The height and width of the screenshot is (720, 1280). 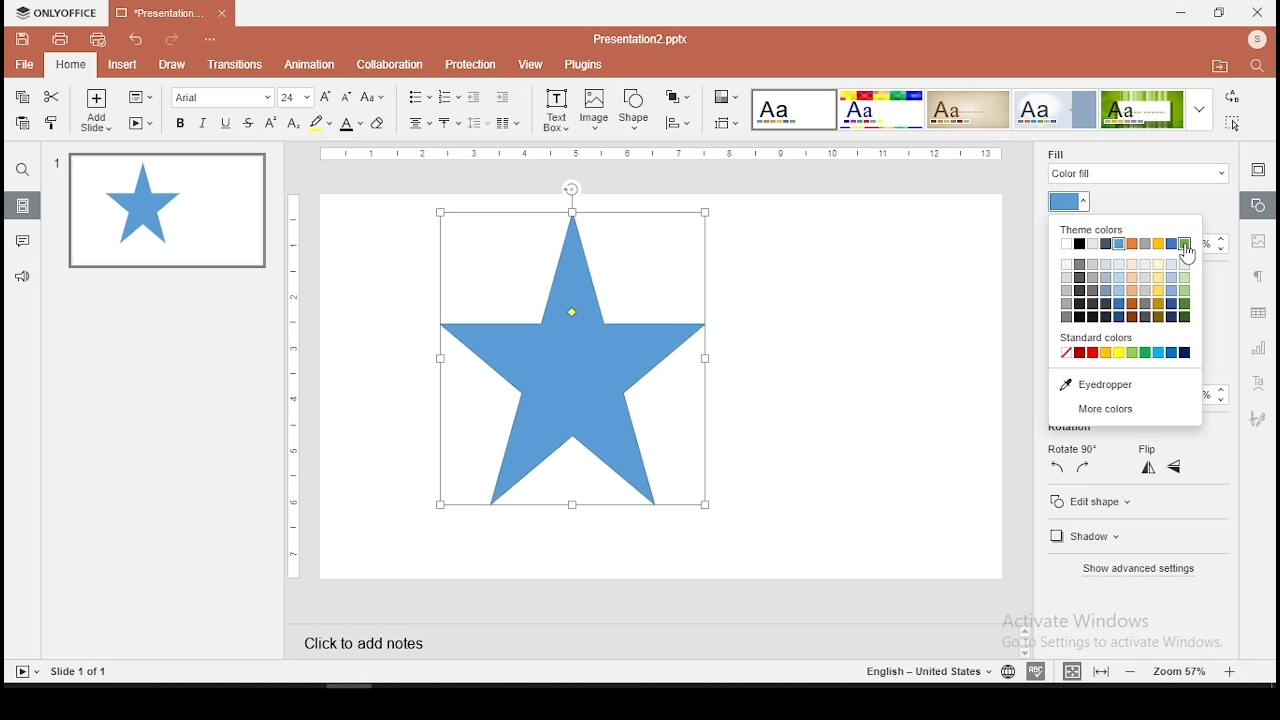 What do you see at coordinates (677, 123) in the screenshot?
I see `align shapes` at bounding box center [677, 123].